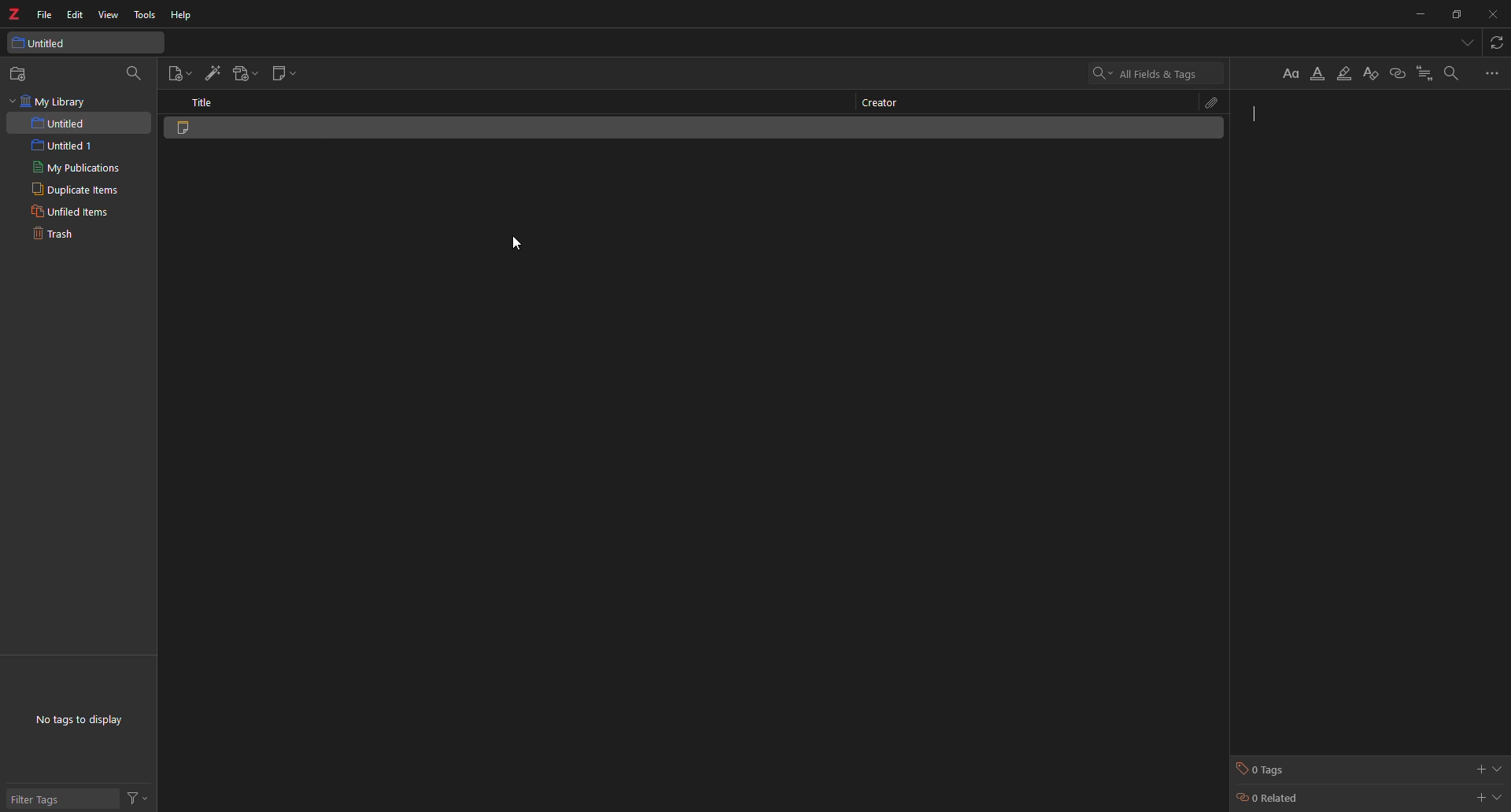 This screenshot has width=1511, height=812. Describe the element at coordinates (1455, 72) in the screenshot. I see `find and replace` at that location.